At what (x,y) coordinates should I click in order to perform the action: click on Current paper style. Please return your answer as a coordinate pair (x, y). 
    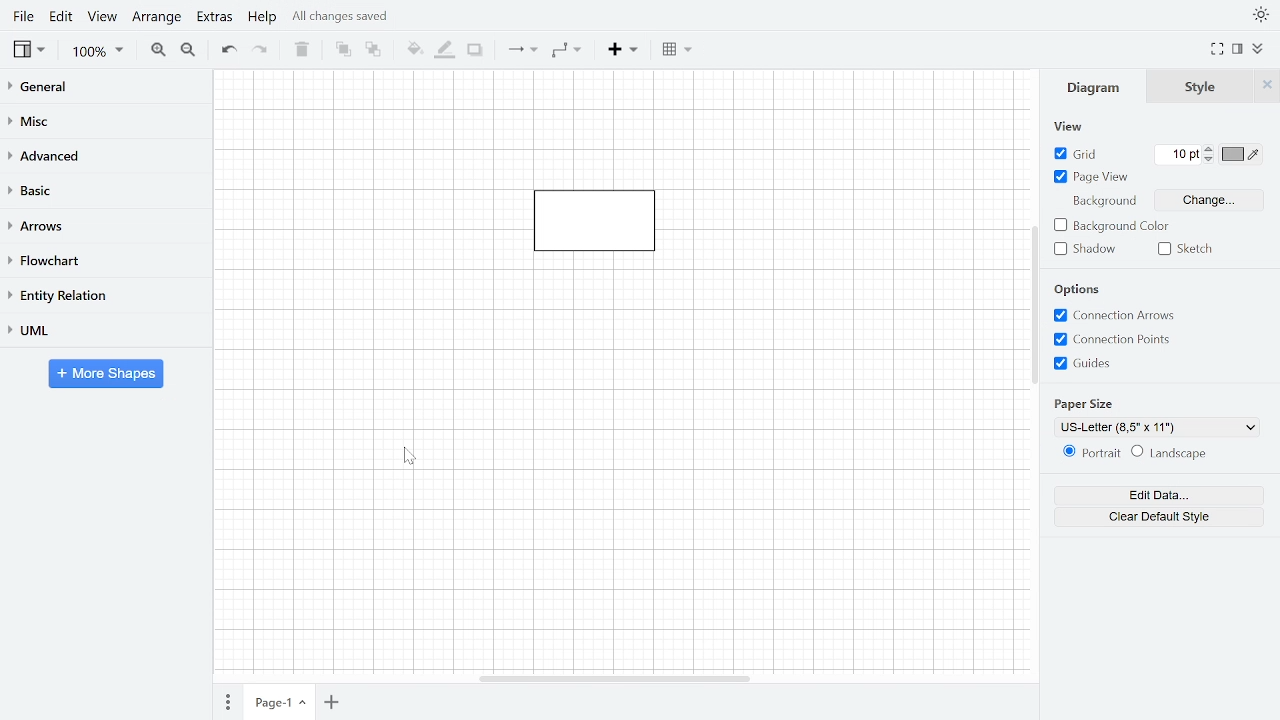
    Looking at the image, I should click on (1154, 427).